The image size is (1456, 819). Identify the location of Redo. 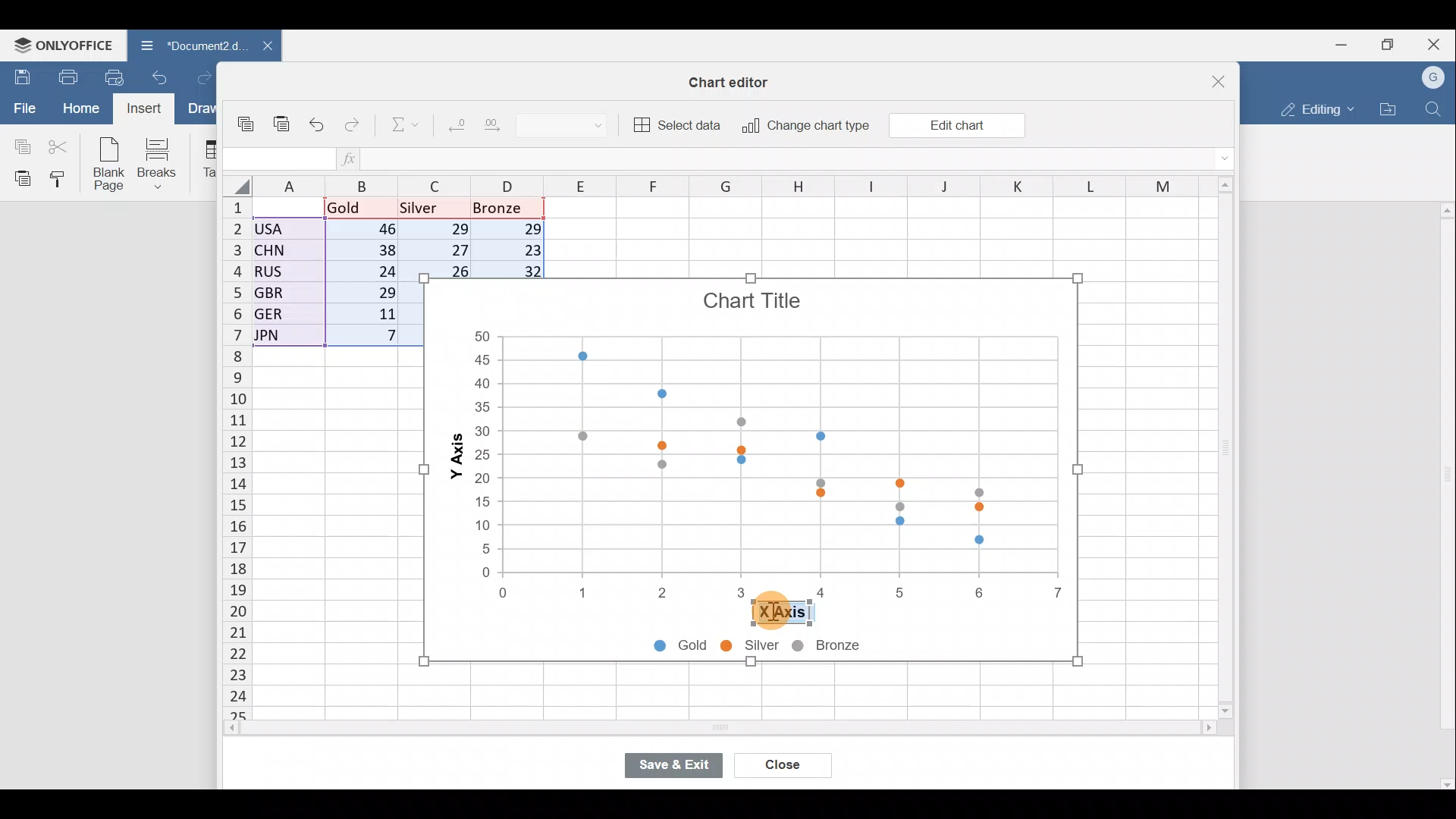
(204, 76).